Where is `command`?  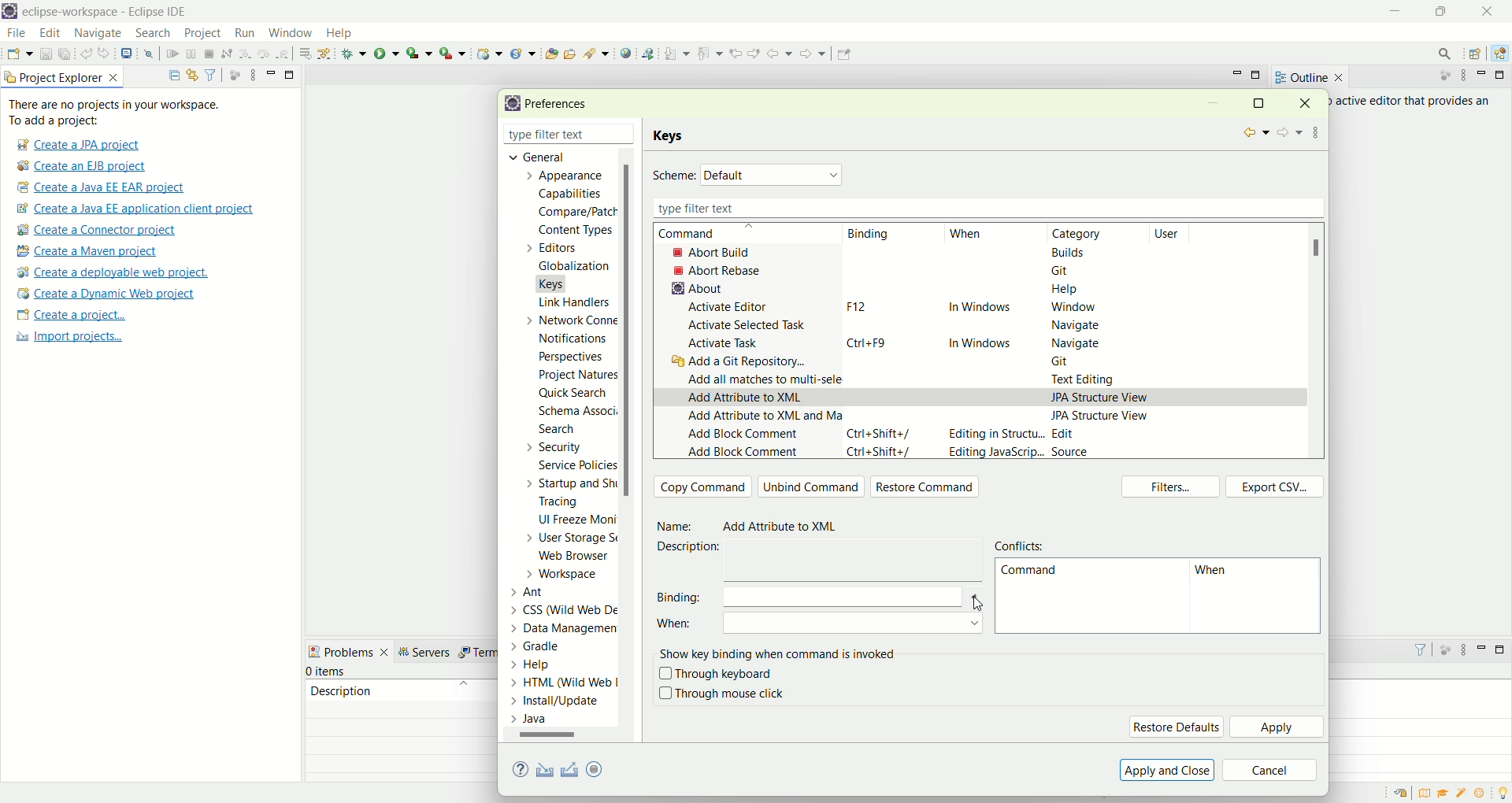
command is located at coordinates (1028, 573).